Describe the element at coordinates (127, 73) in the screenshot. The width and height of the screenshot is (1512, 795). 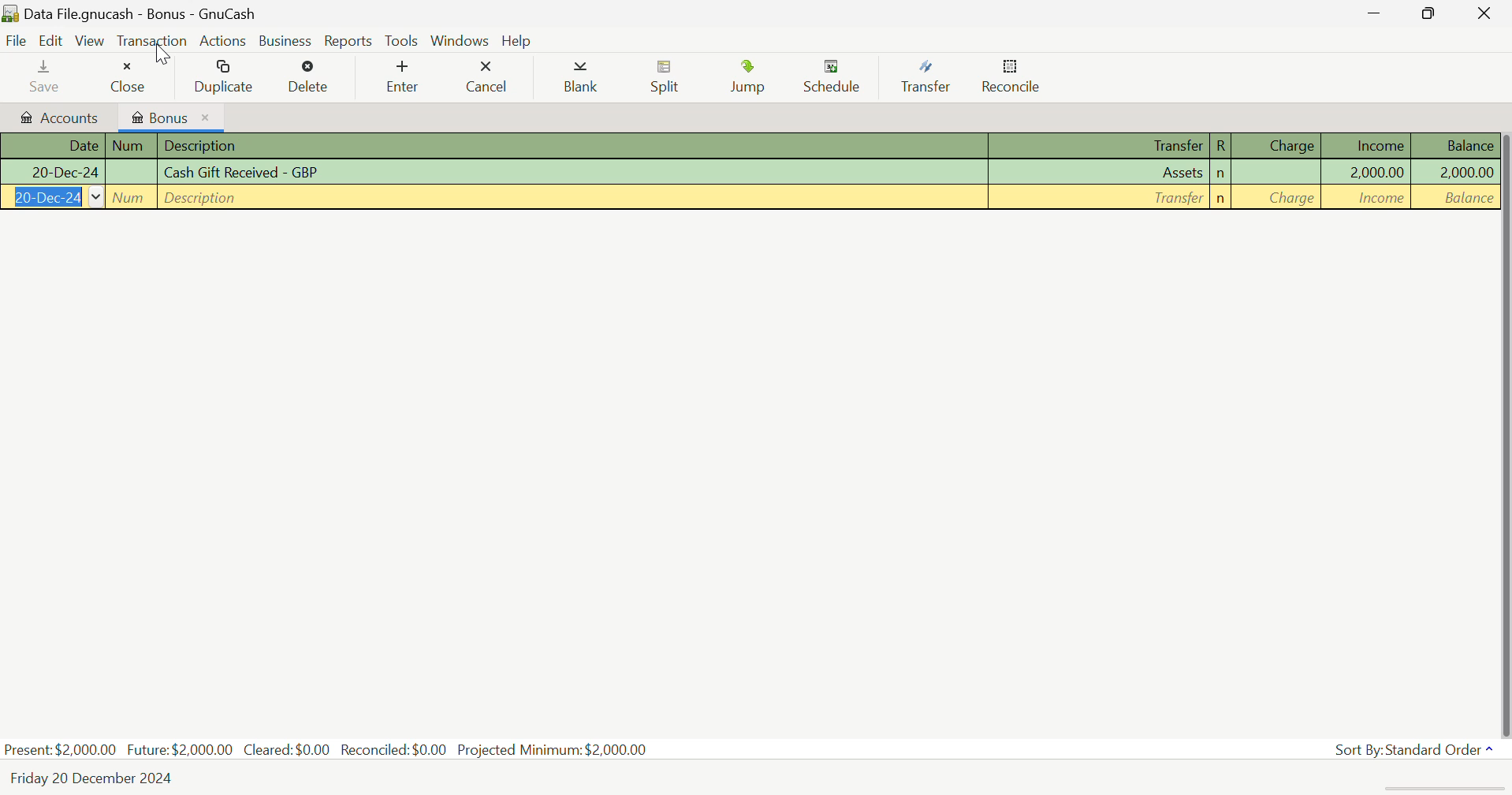
I see `Close` at that location.